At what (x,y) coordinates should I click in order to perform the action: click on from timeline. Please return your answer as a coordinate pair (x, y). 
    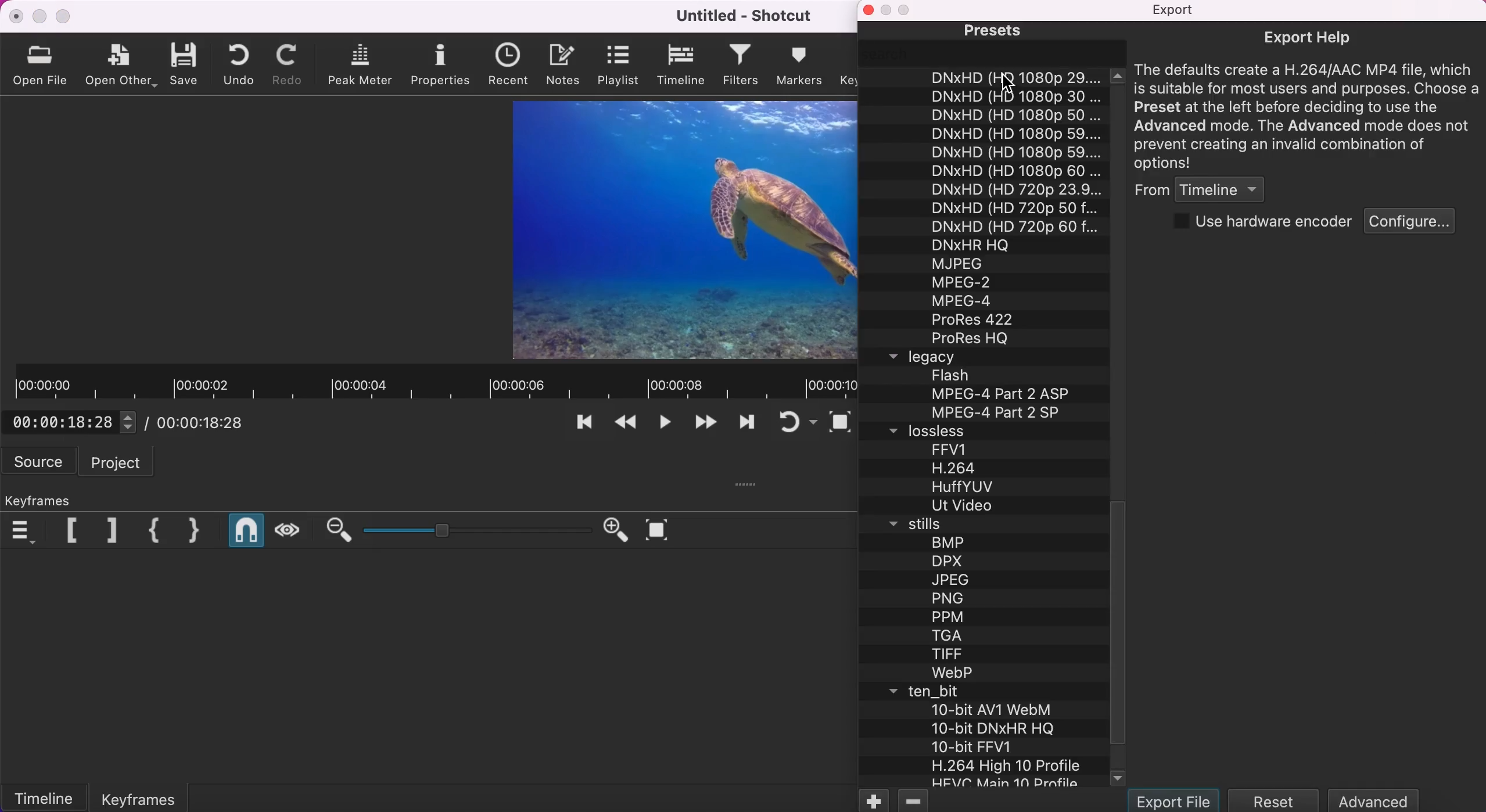
    Looking at the image, I should click on (1199, 189).